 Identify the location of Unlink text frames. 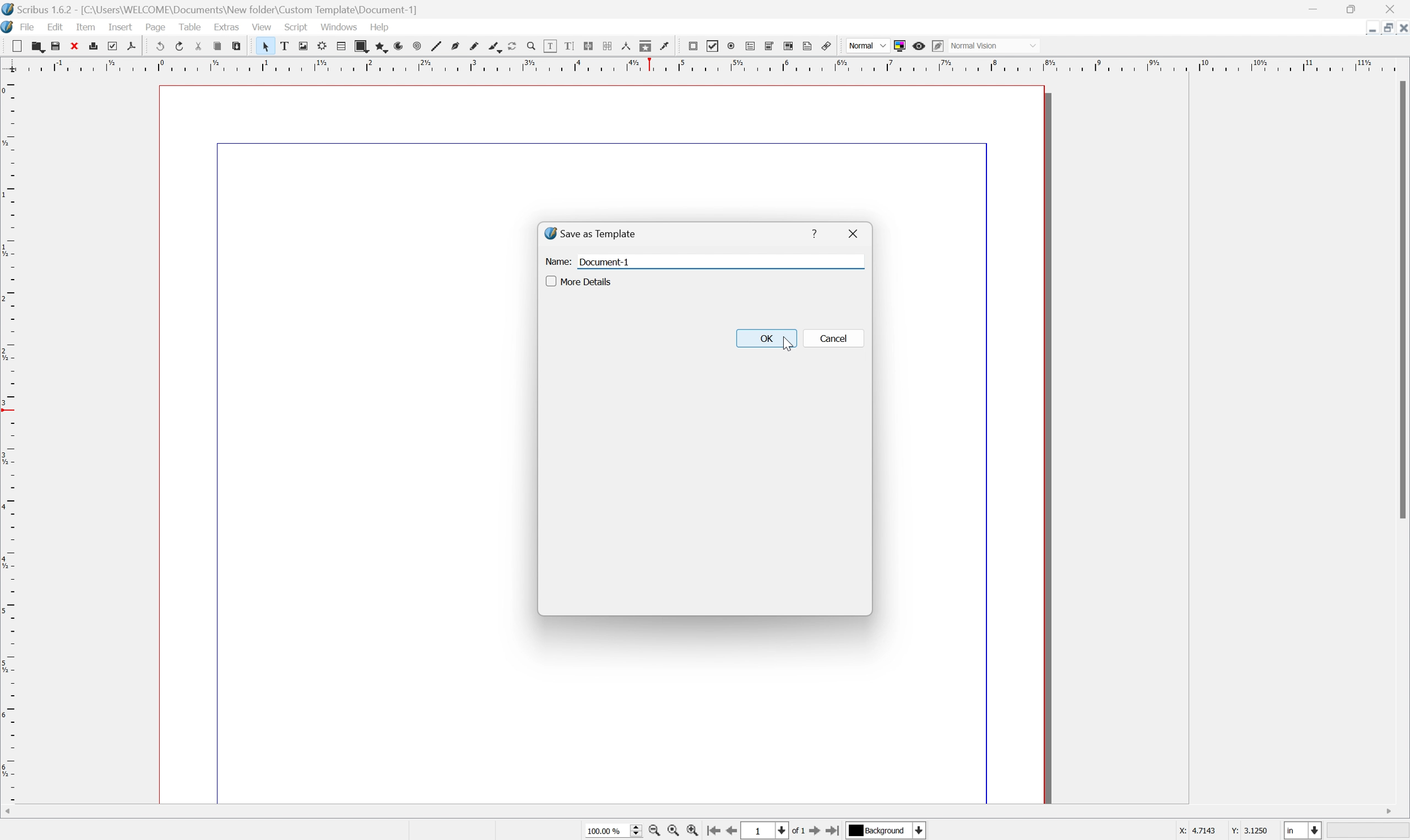
(608, 45).